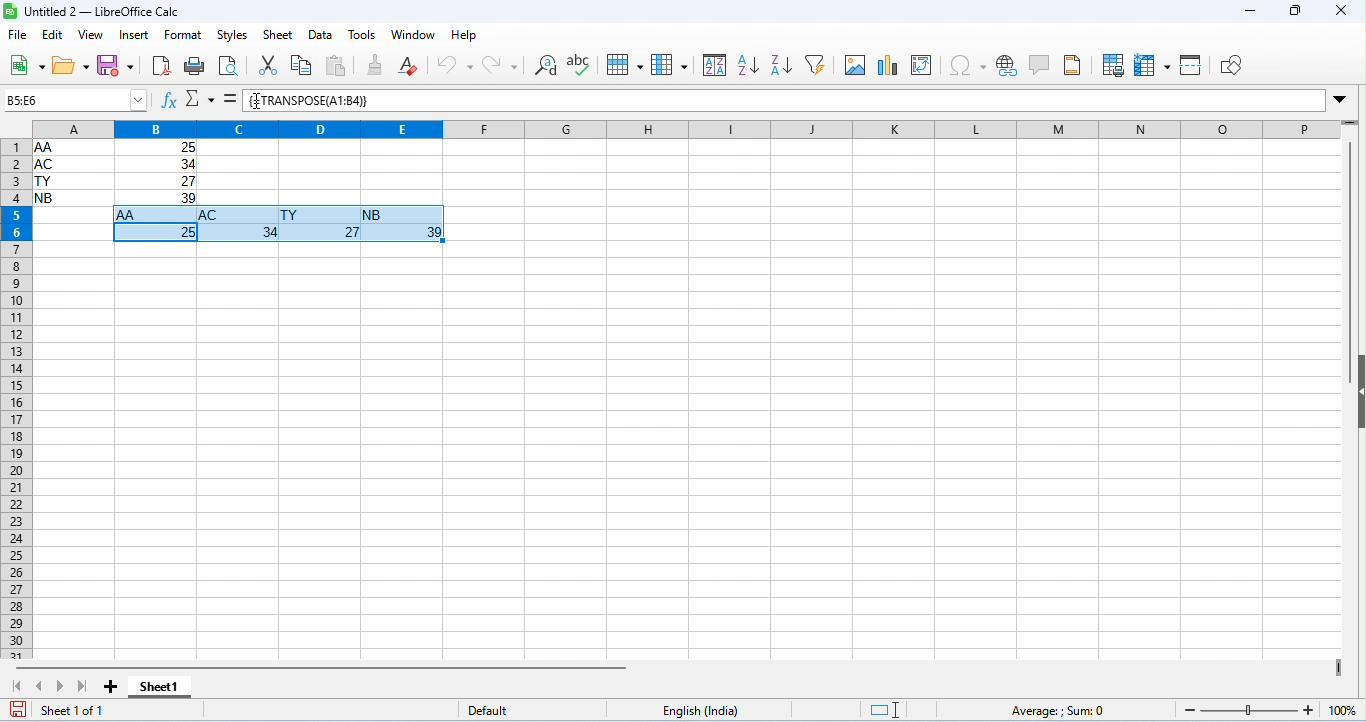 The width and height of the screenshot is (1366, 722). What do you see at coordinates (714, 65) in the screenshot?
I see `sort` at bounding box center [714, 65].